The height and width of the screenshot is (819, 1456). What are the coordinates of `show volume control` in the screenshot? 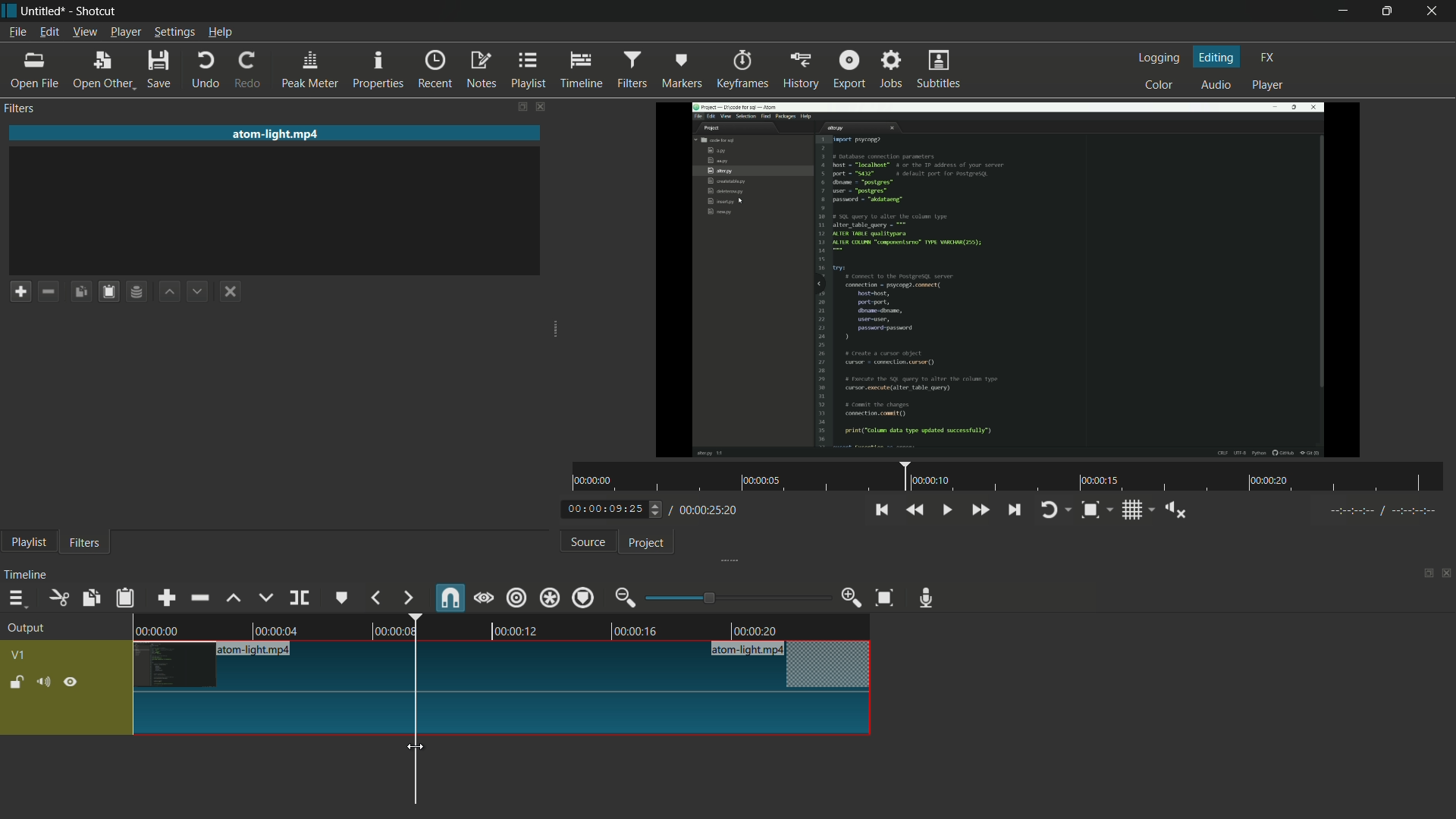 It's located at (1175, 509).